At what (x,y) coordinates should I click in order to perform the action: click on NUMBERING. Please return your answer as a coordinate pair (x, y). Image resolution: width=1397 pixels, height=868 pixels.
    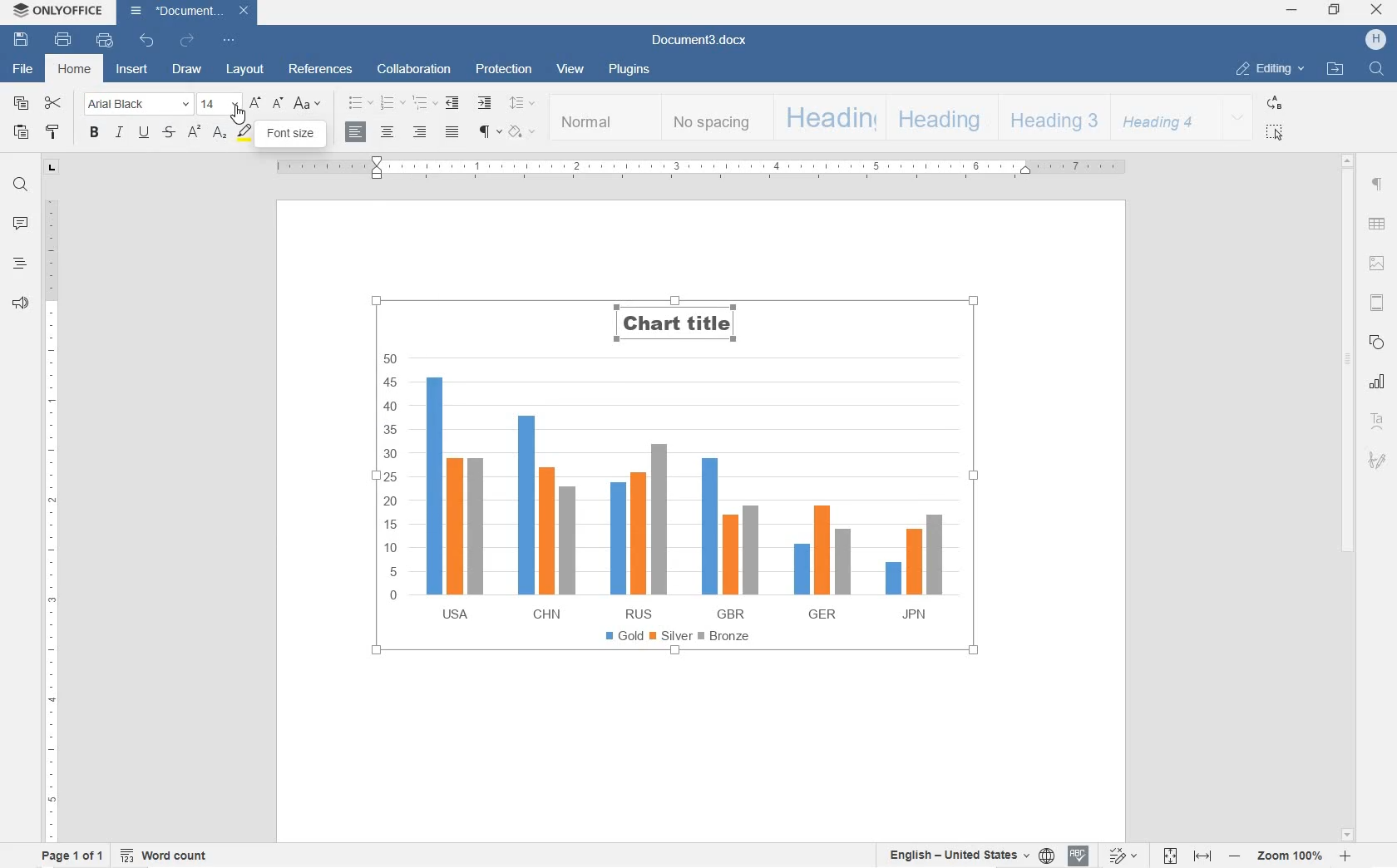
    Looking at the image, I should click on (392, 104).